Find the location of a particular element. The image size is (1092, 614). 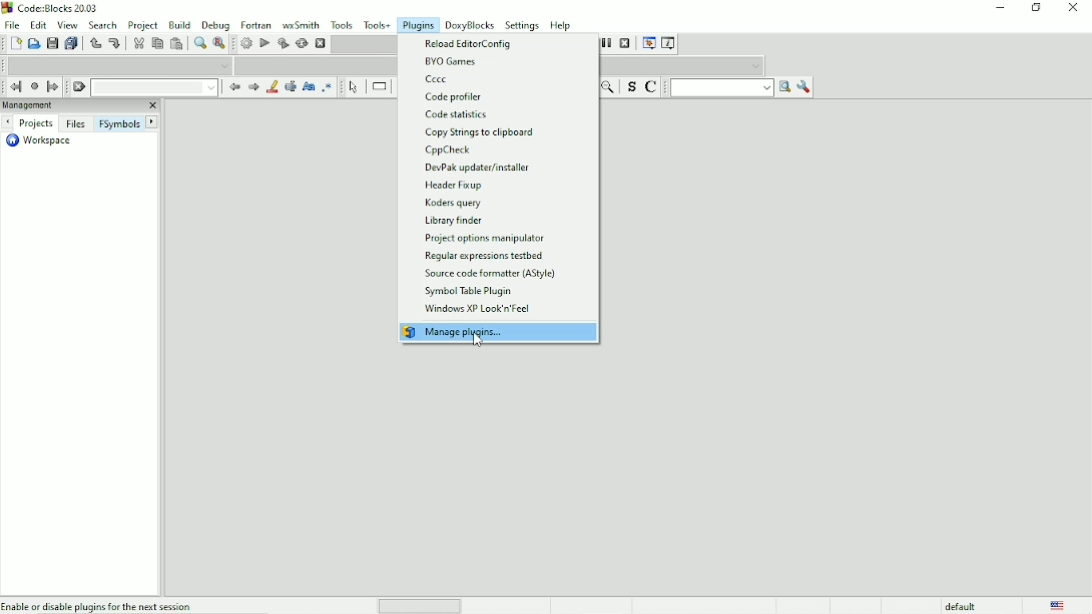

Close is located at coordinates (1074, 8).